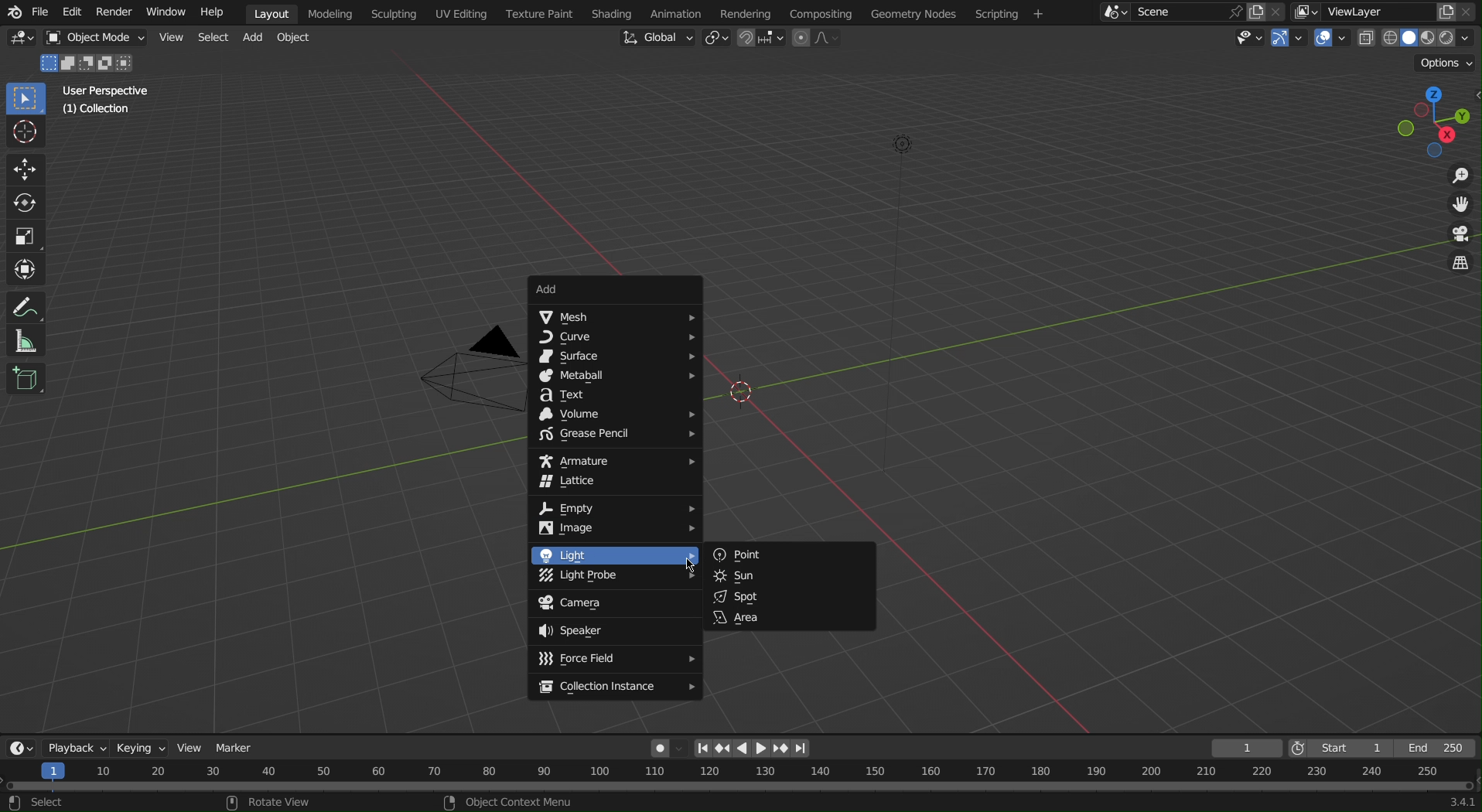 This screenshot has width=1482, height=812. I want to click on Add, so click(255, 38).